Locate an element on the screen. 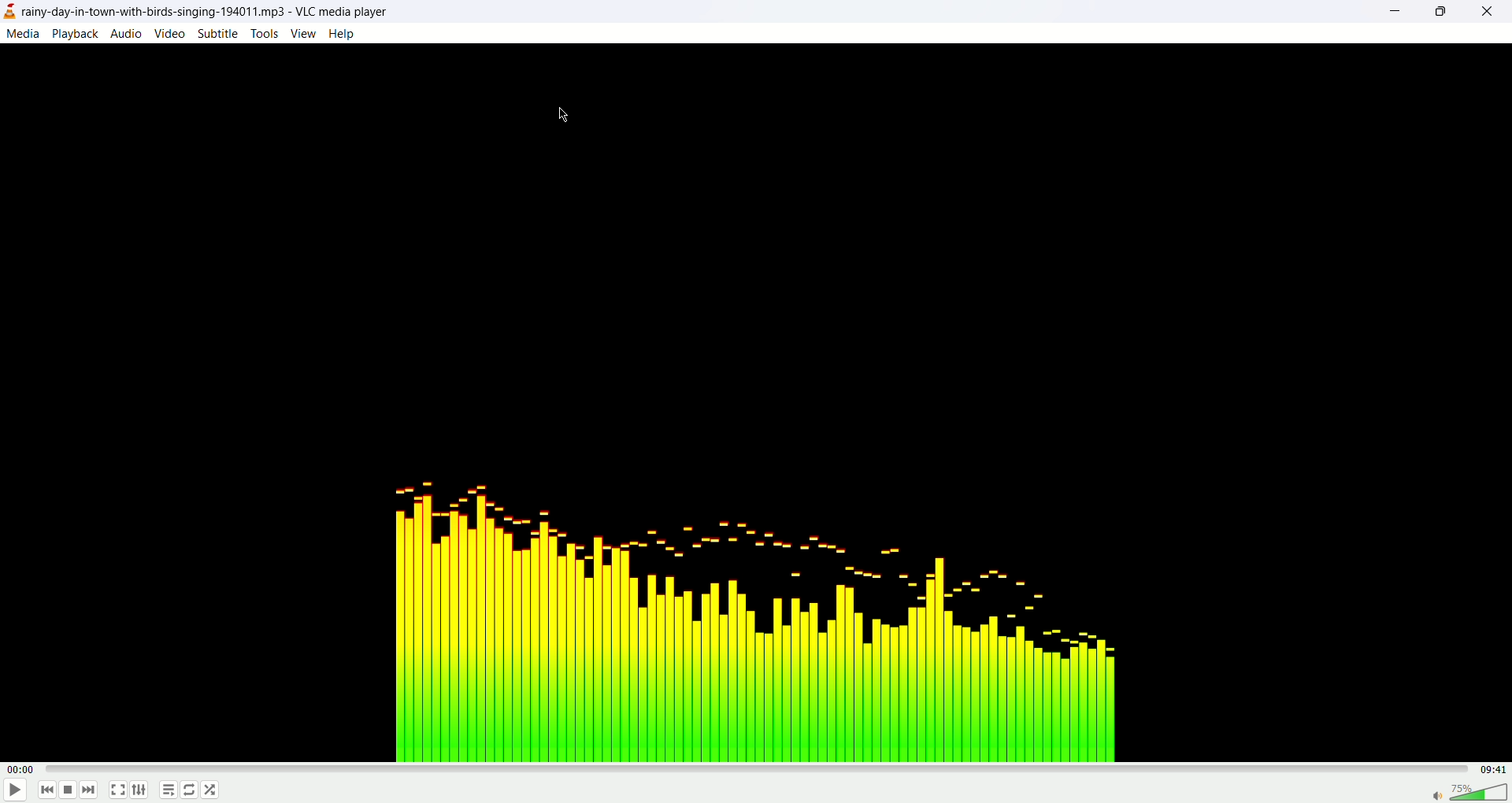 This screenshot has width=1512, height=803. progress bar is located at coordinates (762, 769).